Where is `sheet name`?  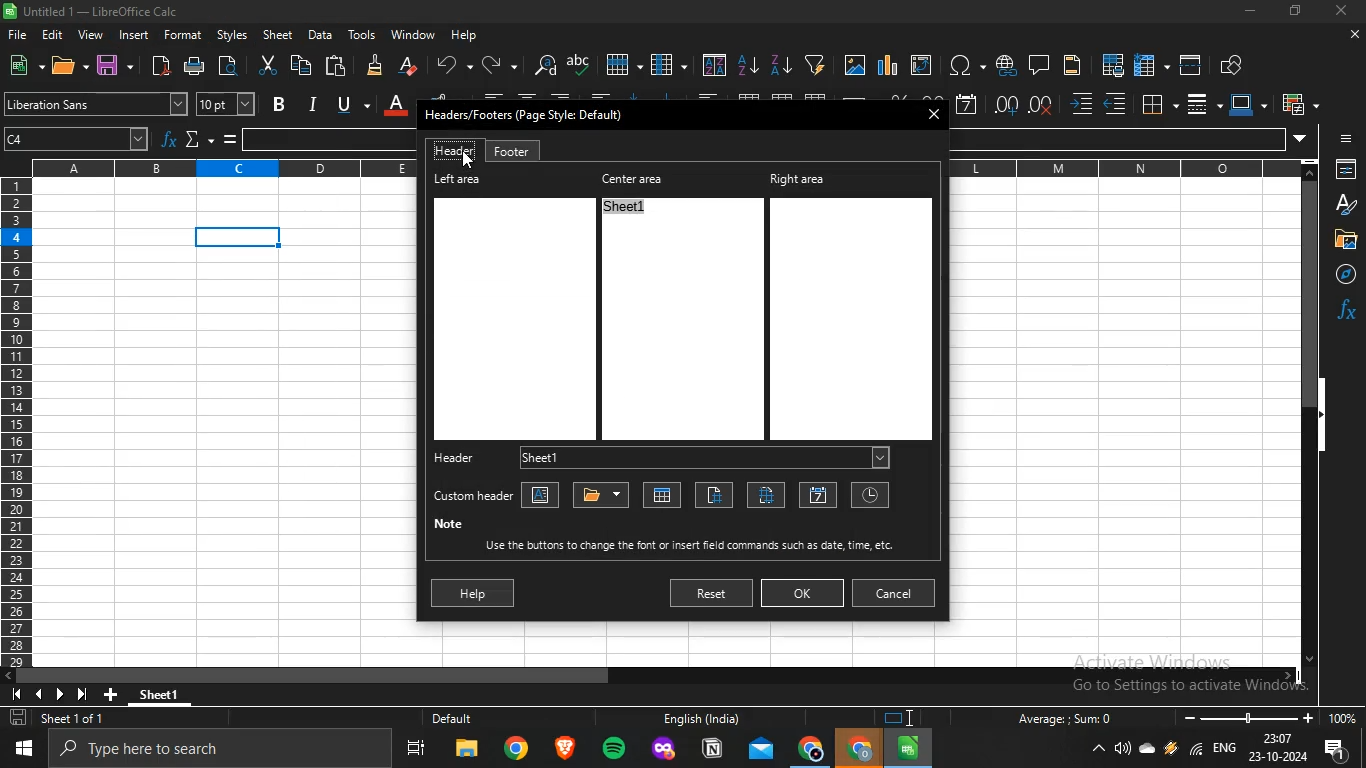 sheet name is located at coordinates (663, 494).